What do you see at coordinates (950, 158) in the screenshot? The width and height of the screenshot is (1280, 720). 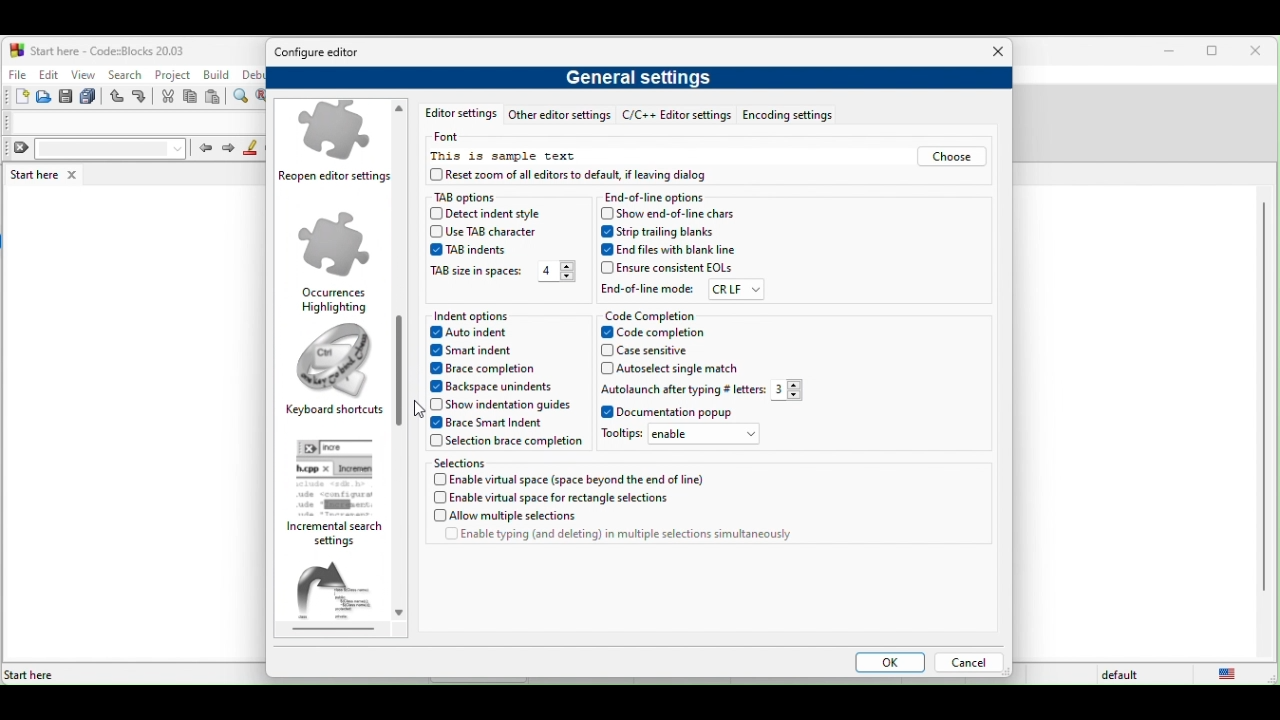 I see `choose` at bounding box center [950, 158].